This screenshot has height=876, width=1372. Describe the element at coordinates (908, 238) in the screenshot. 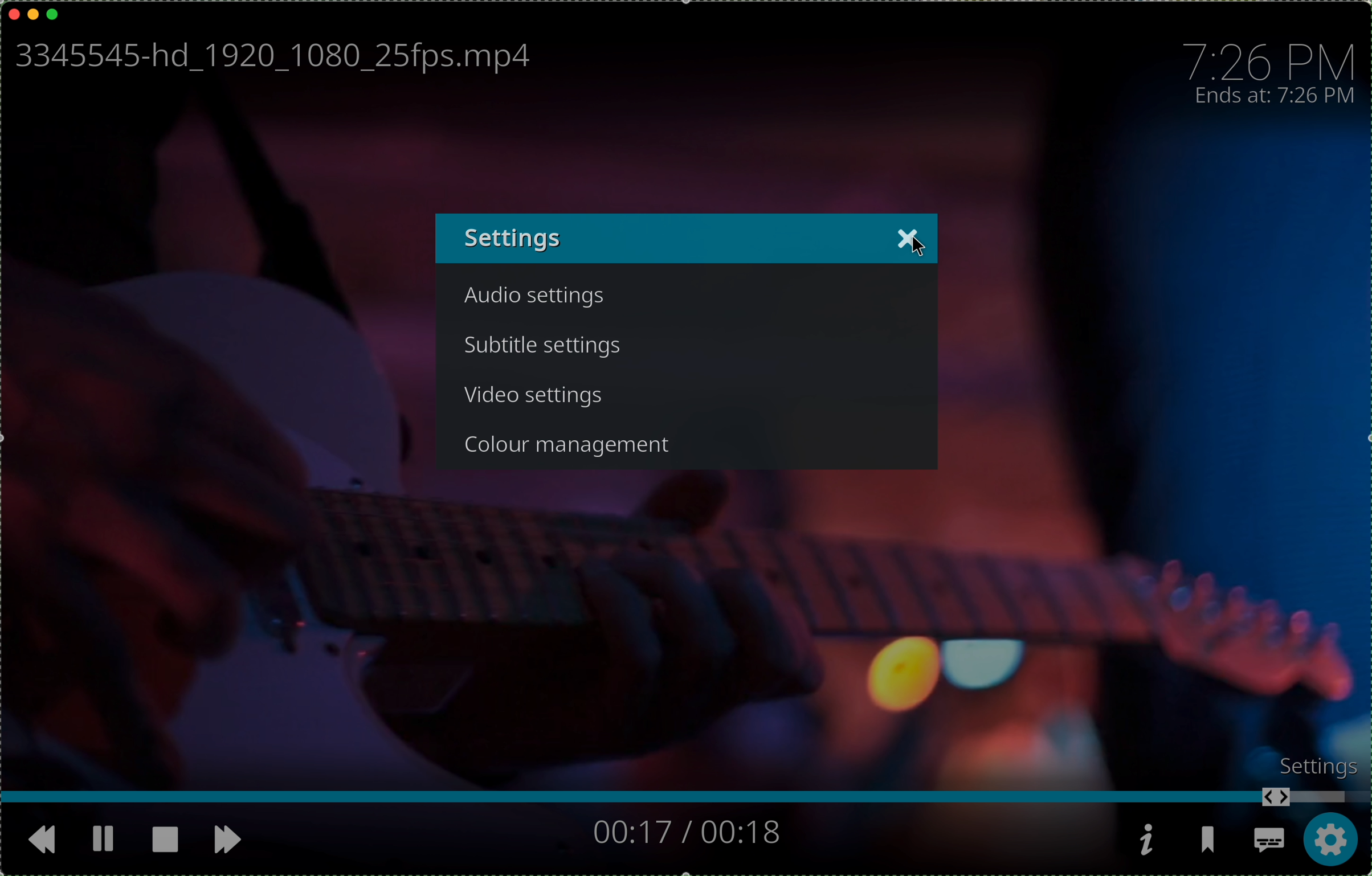

I see `close` at that location.